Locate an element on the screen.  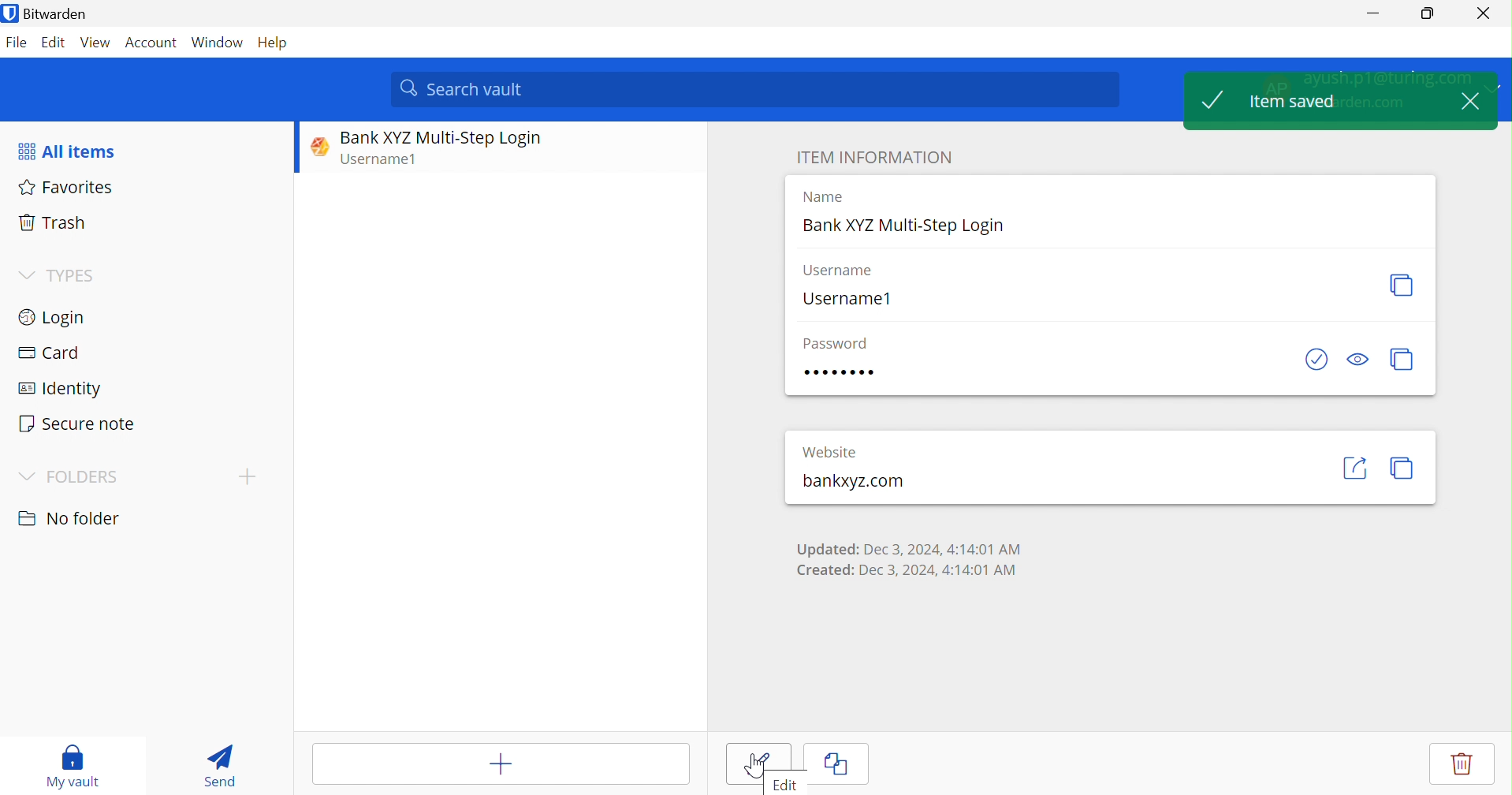
Login is located at coordinates (50, 317).